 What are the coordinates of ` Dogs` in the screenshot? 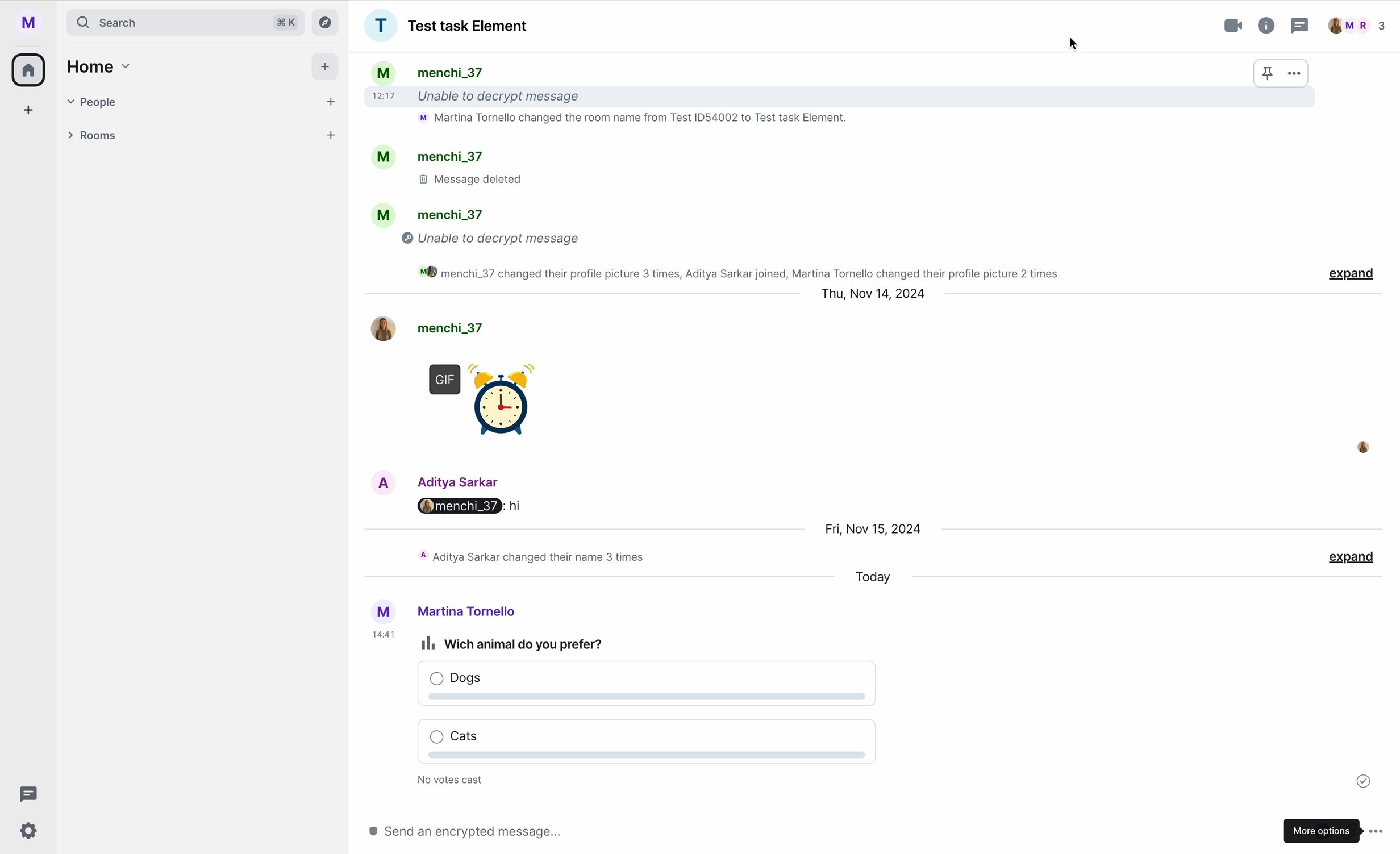 It's located at (646, 686).